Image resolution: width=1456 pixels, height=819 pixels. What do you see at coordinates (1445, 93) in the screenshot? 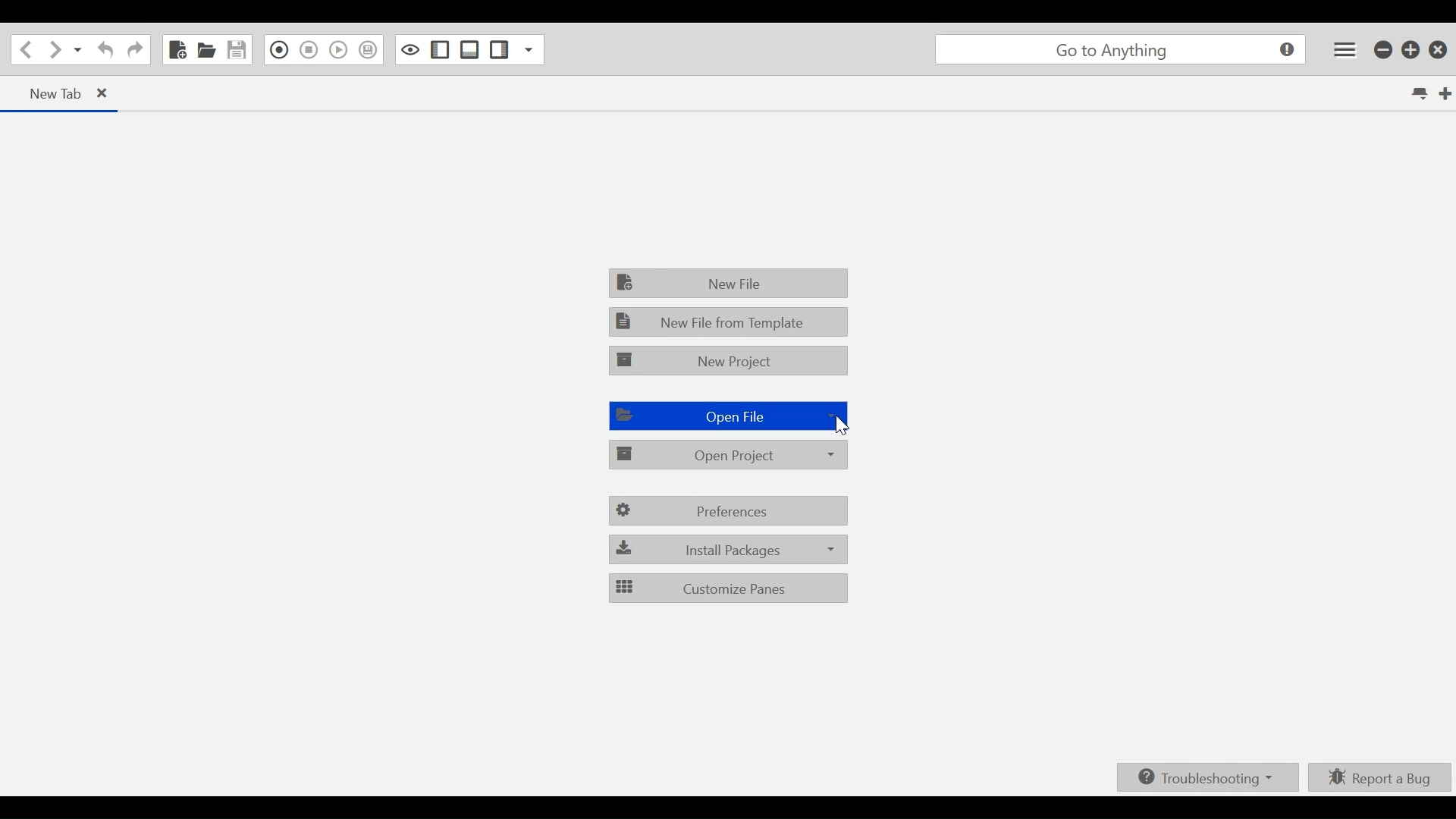
I see `New Tab` at bounding box center [1445, 93].